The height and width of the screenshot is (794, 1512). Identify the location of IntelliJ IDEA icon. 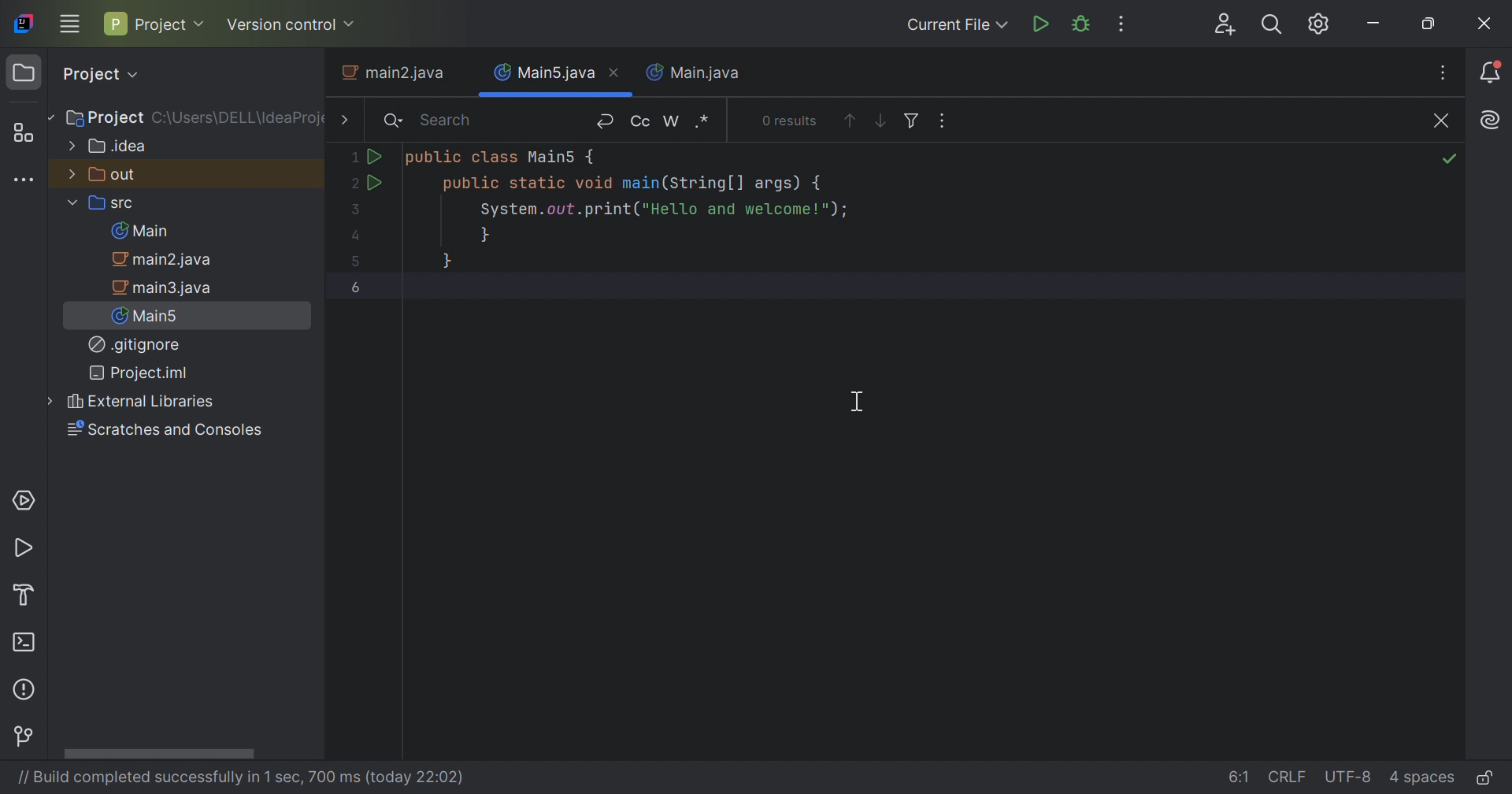
(24, 21).